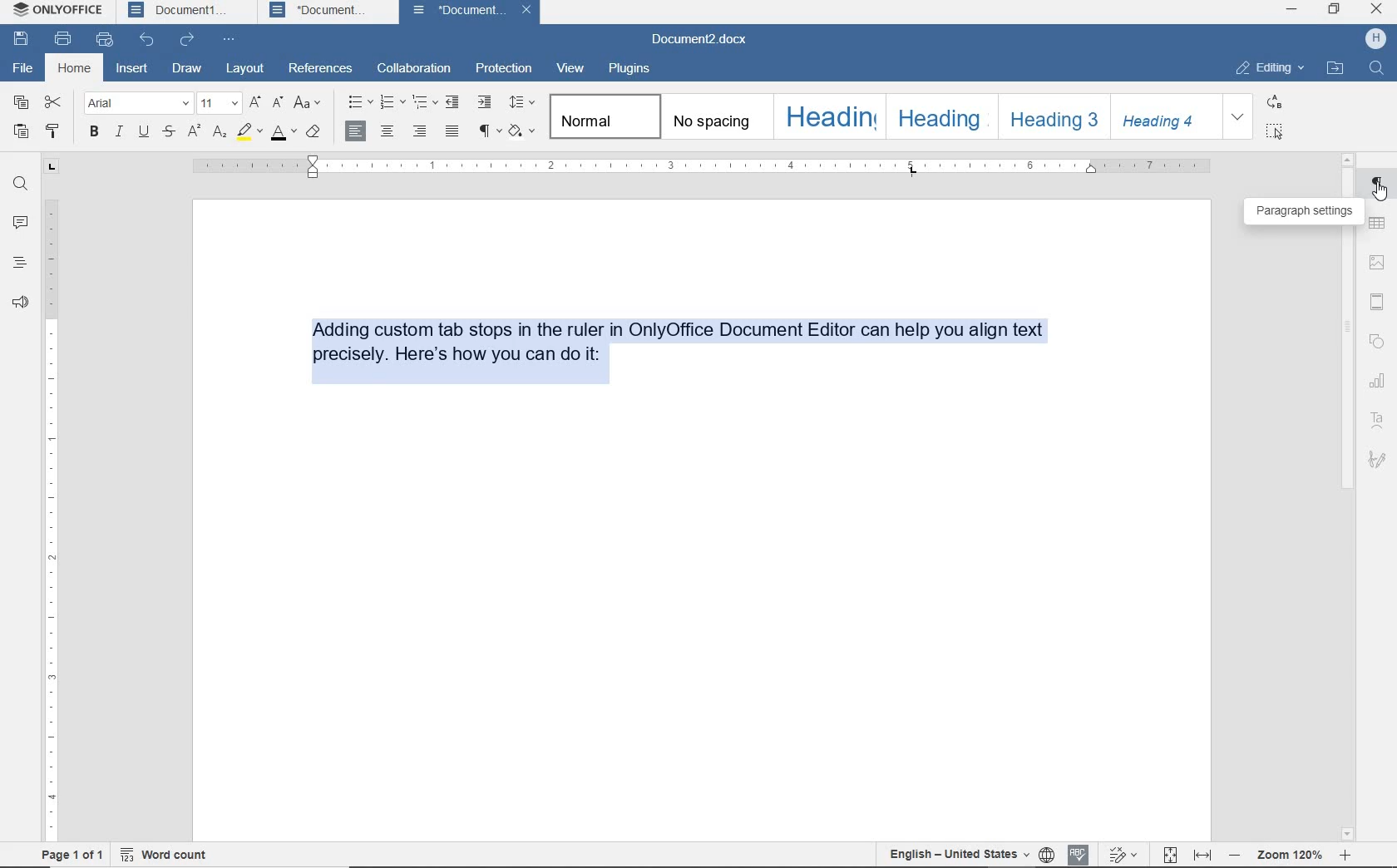 The width and height of the screenshot is (1397, 868). I want to click on multilevel list, so click(422, 100).